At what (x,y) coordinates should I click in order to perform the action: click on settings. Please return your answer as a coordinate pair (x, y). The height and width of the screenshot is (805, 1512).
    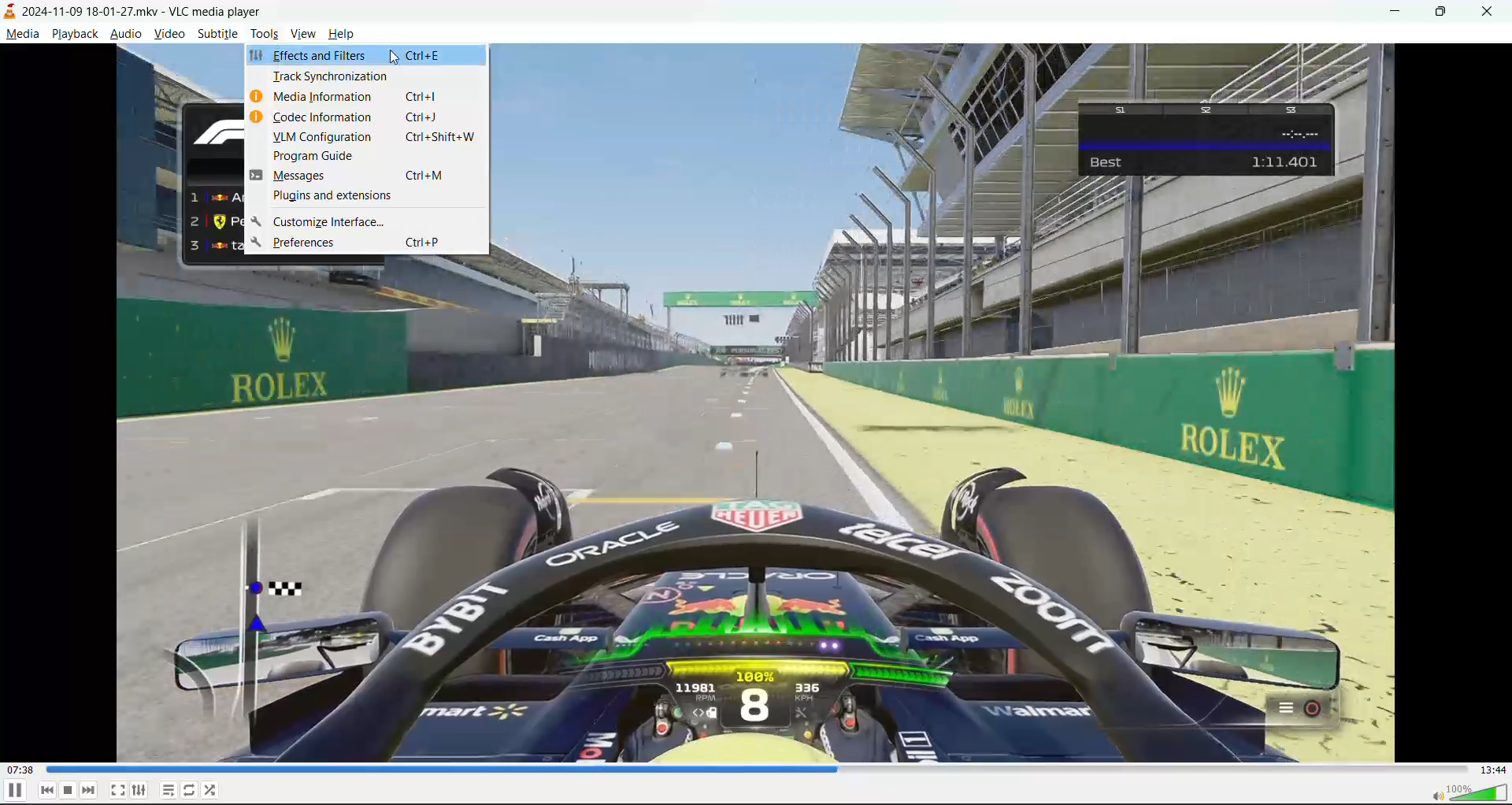
    Looking at the image, I should click on (139, 788).